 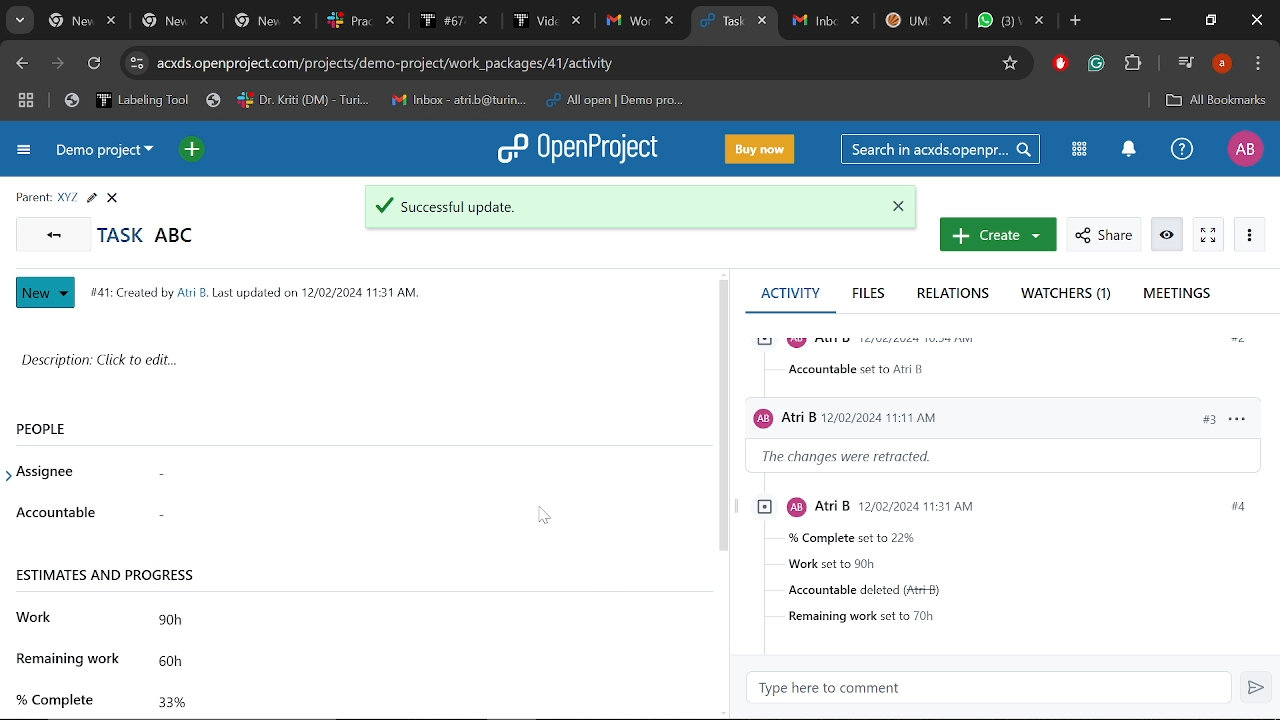 I want to click on scrollbar, so click(x=725, y=436).